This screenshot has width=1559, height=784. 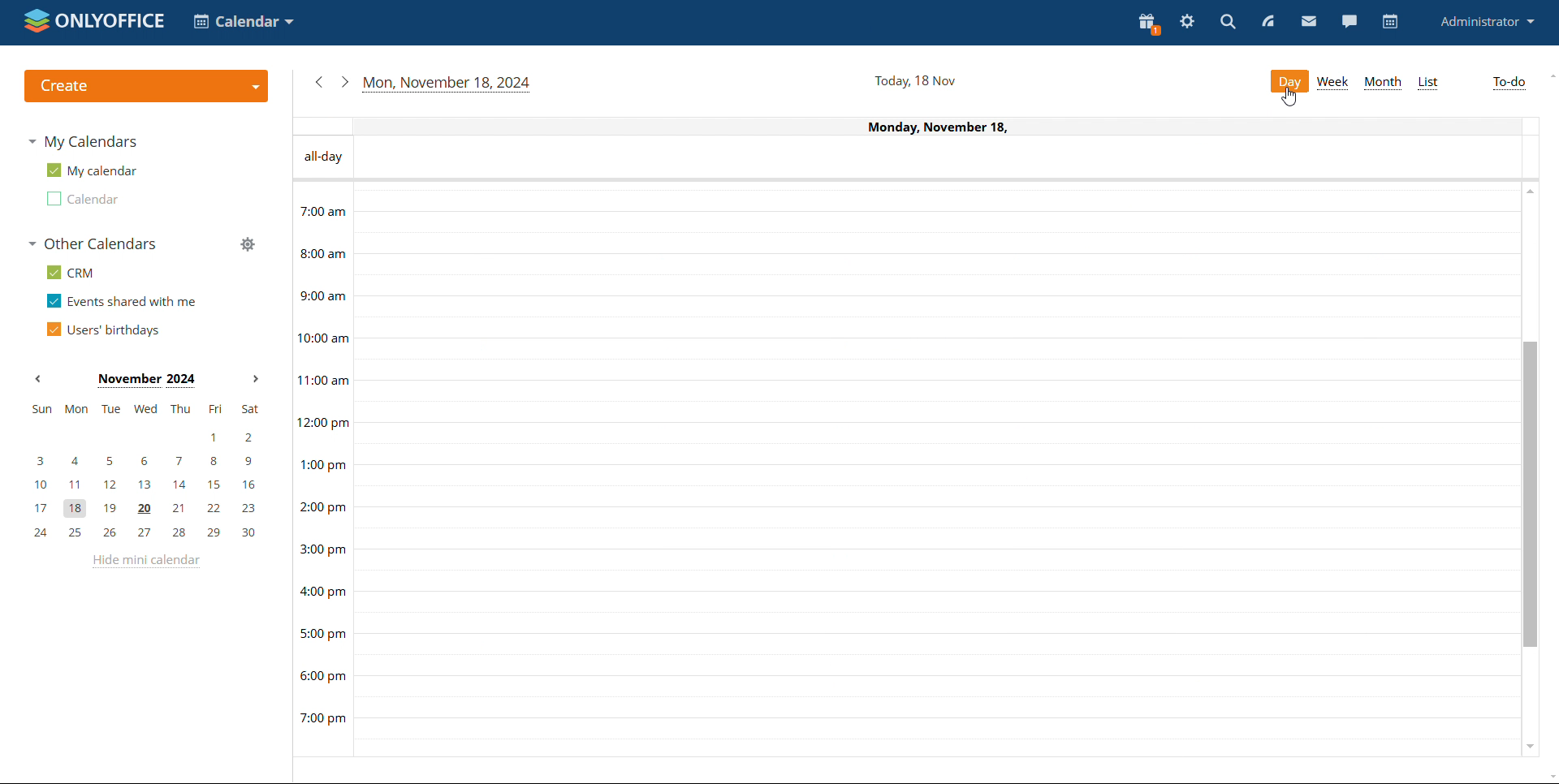 What do you see at coordinates (321, 467) in the screenshot?
I see `timeline` at bounding box center [321, 467].